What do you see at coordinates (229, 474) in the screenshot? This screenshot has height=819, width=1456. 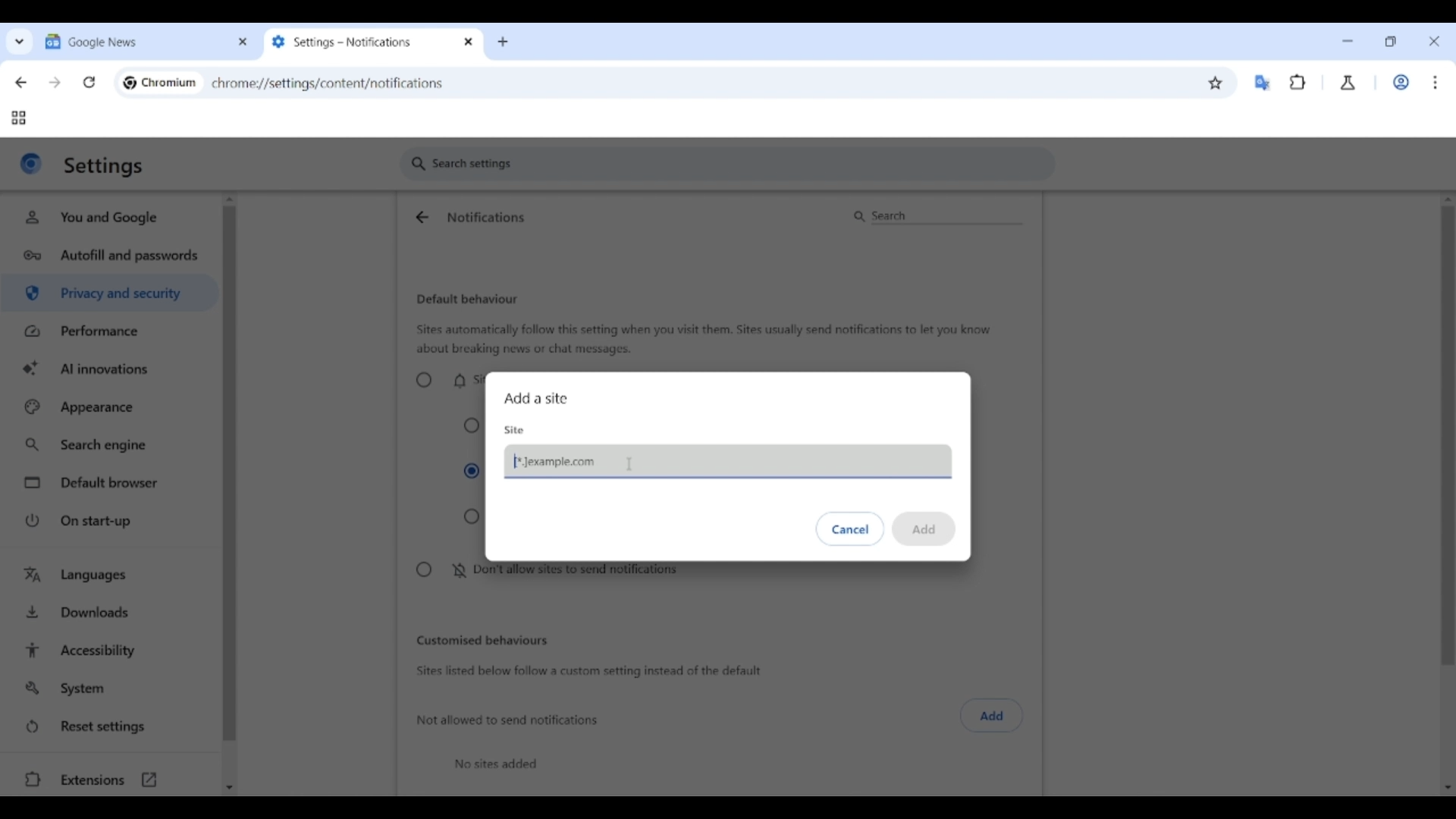 I see `Vertical slide bar` at bounding box center [229, 474].